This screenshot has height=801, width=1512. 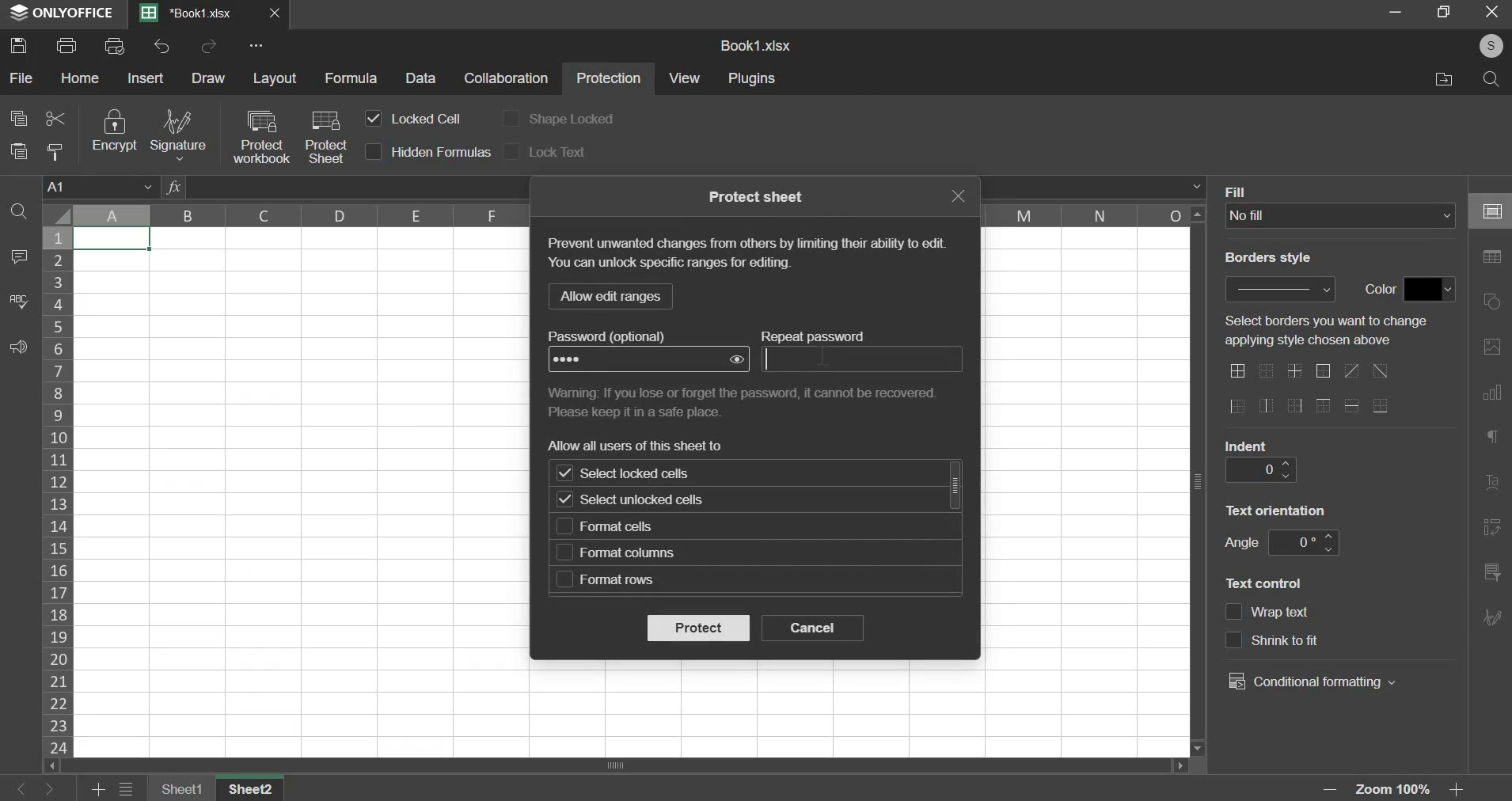 I want to click on angle, so click(x=1301, y=543).